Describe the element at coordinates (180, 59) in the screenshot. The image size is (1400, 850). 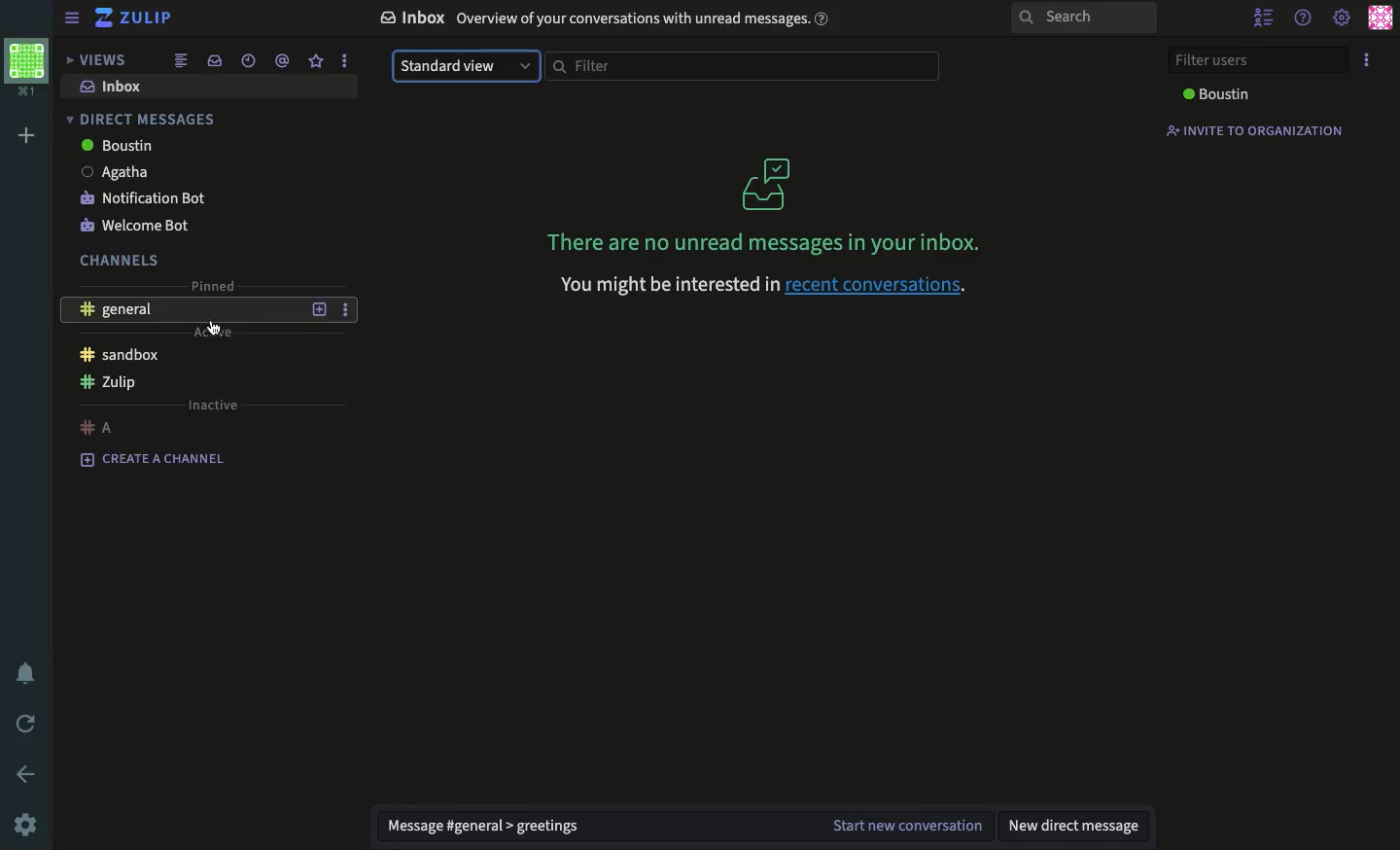
I see `list view` at that location.